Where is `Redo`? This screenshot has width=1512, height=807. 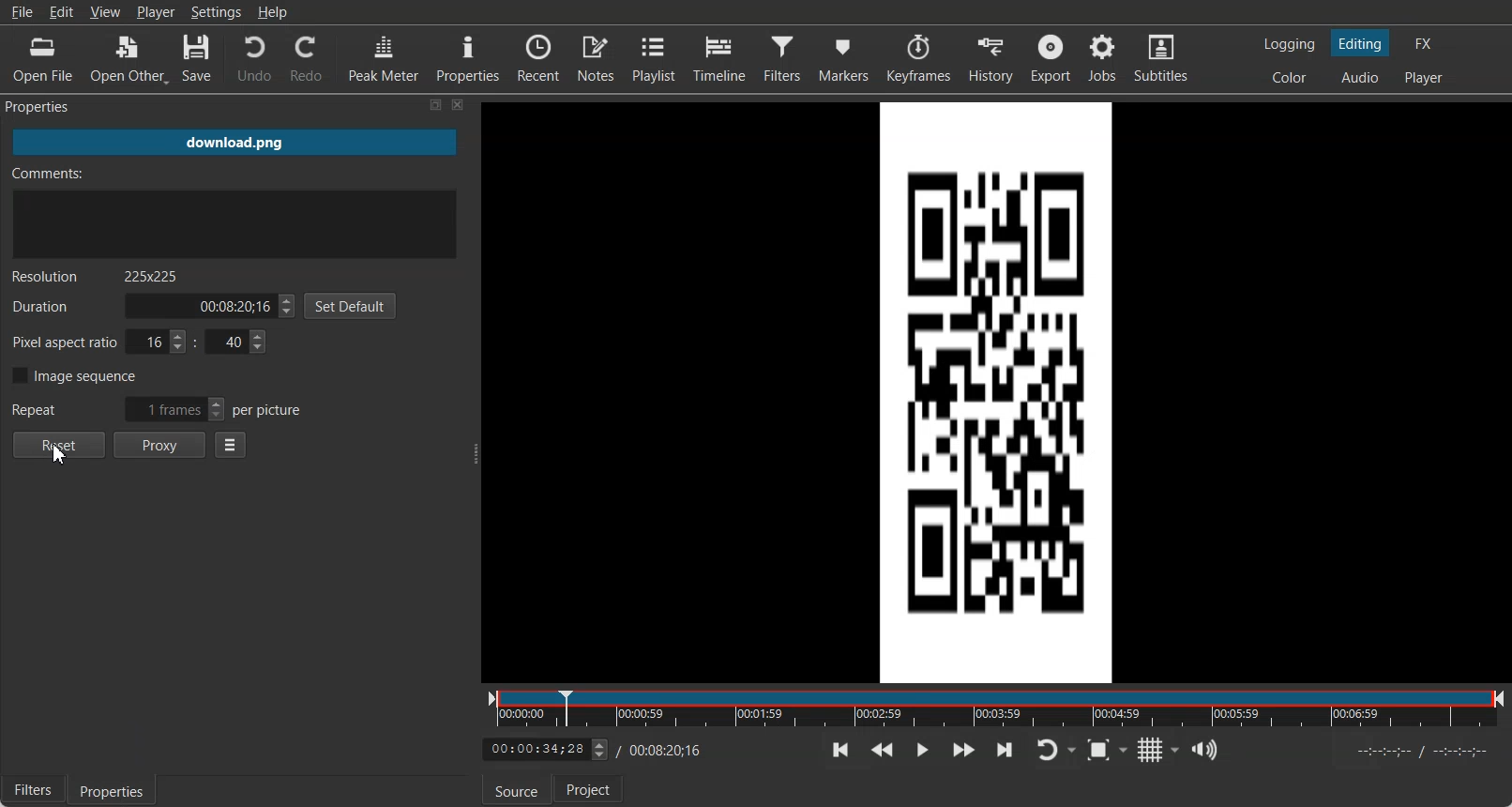 Redo is located at coordinates (307, 58).